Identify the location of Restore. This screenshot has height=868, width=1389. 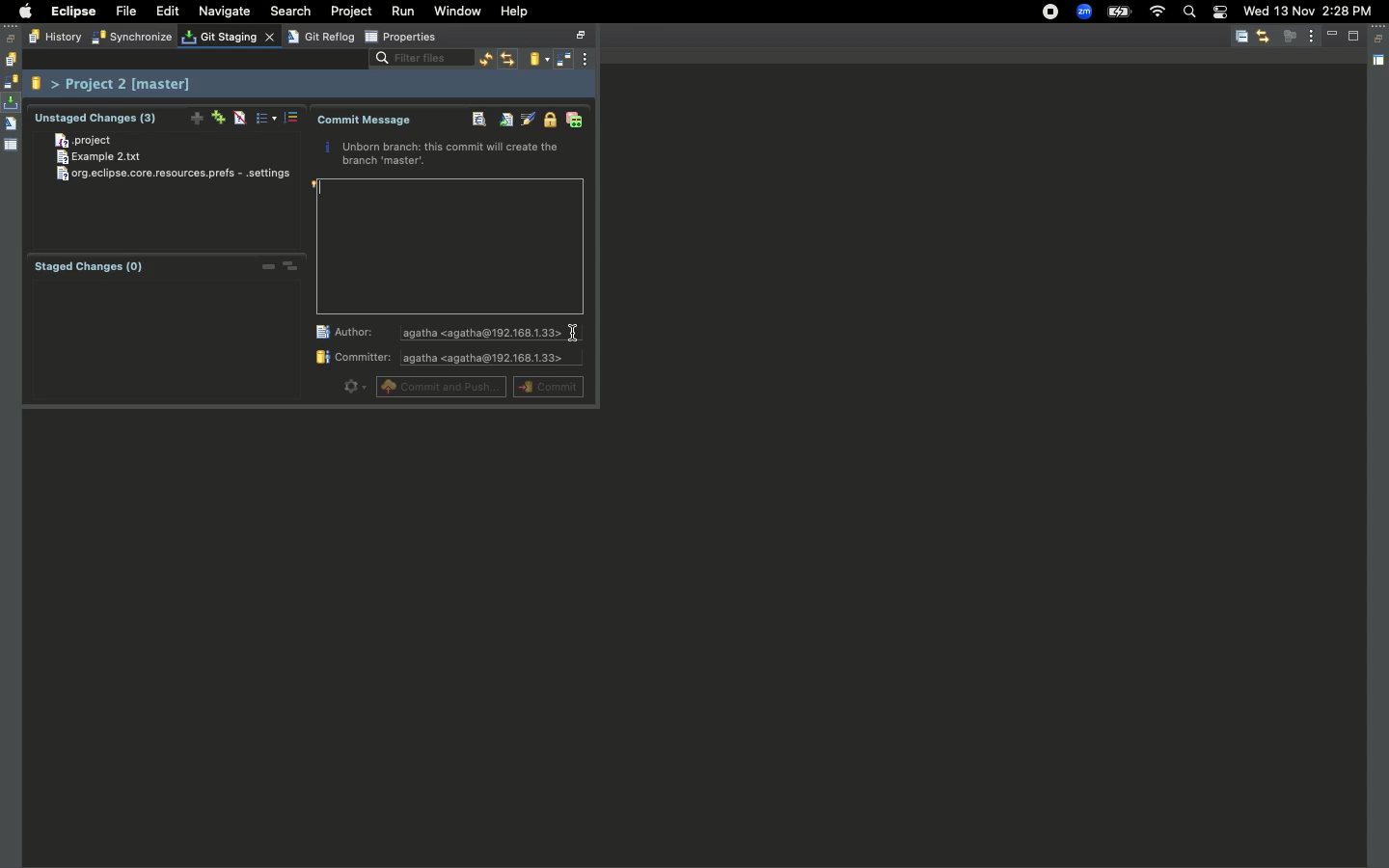
(12, 39).